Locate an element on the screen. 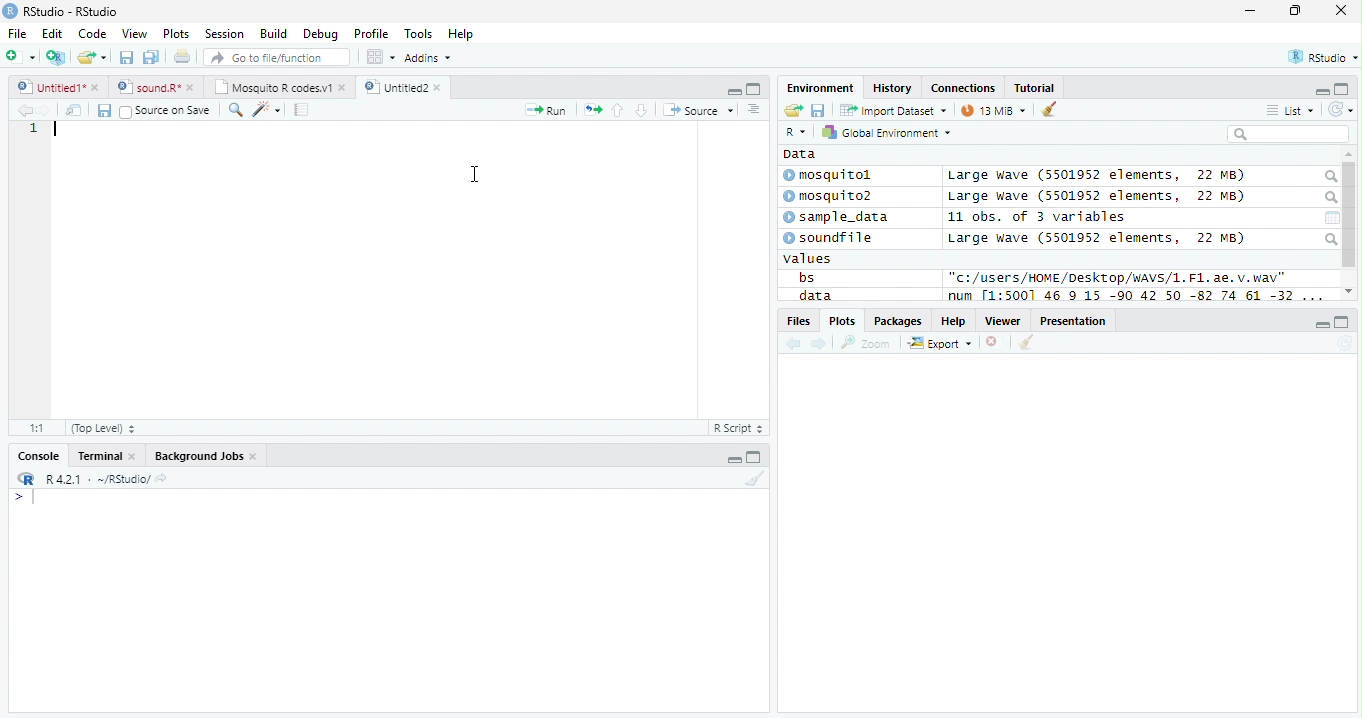 The height and width of the screenshot is (718, 1362). RStudio is located at coordinates (1321, 56).